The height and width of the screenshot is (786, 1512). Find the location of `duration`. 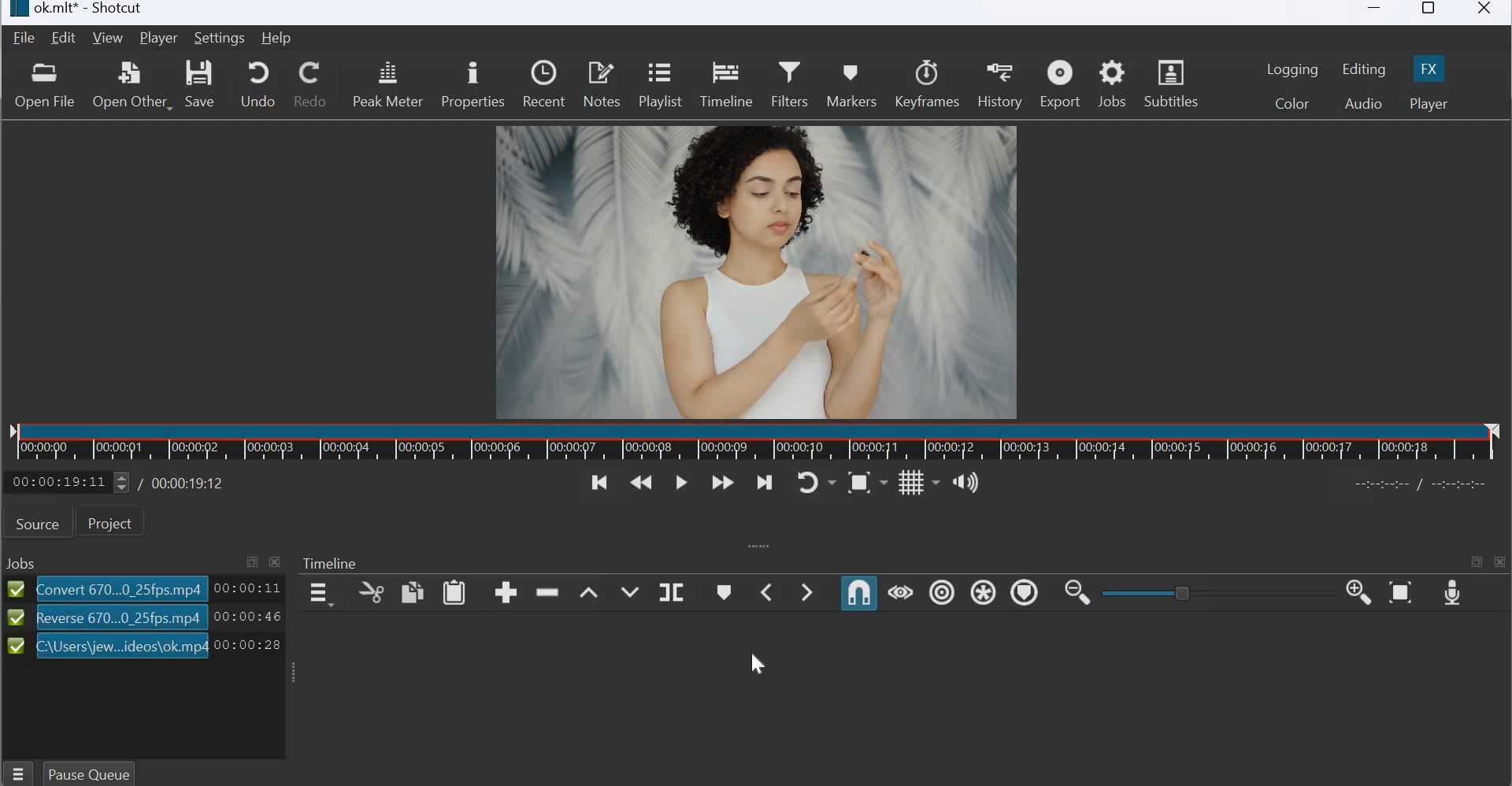

duration is located at coordinates (248, 588).